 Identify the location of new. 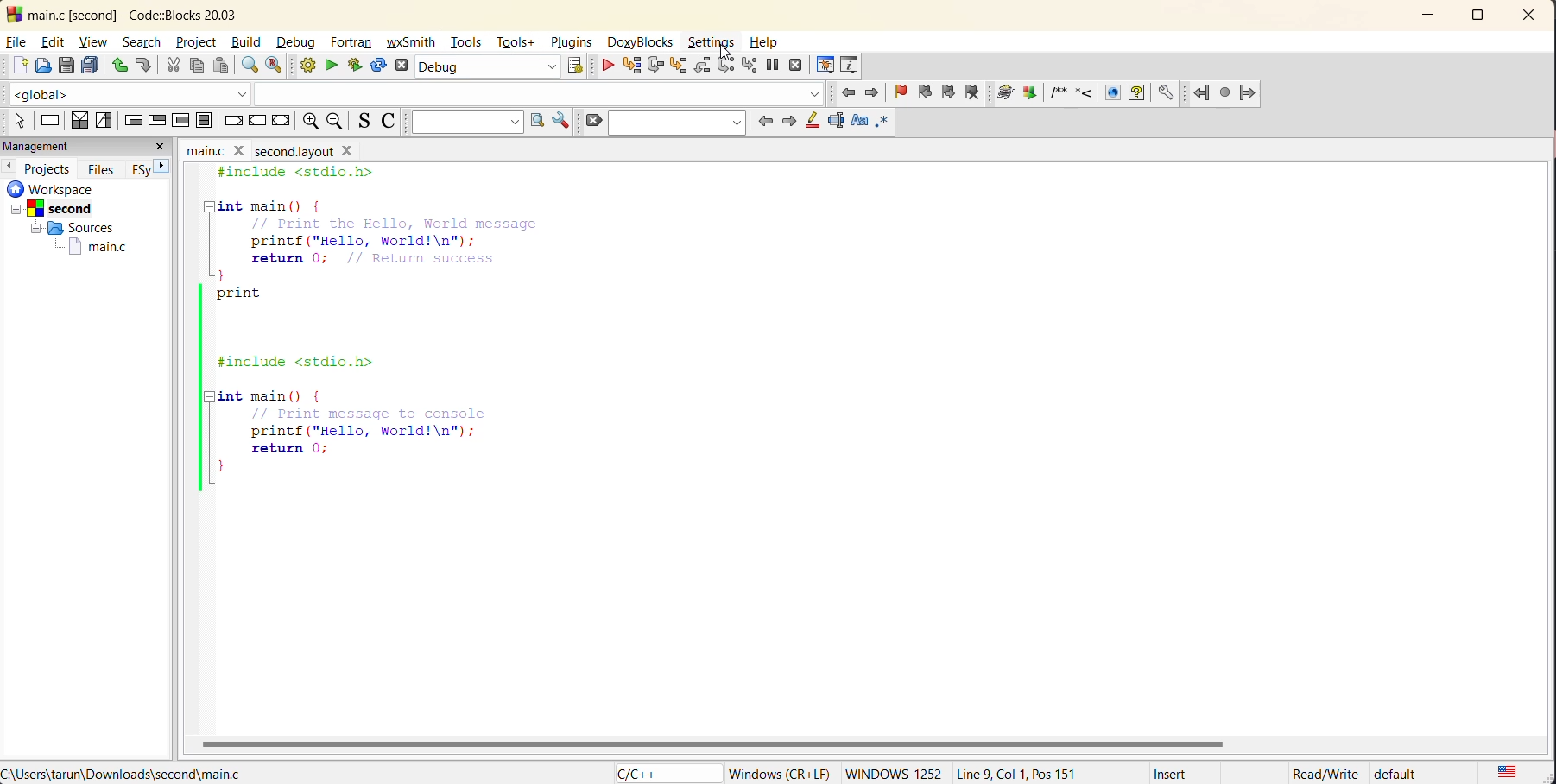
(16, 66).